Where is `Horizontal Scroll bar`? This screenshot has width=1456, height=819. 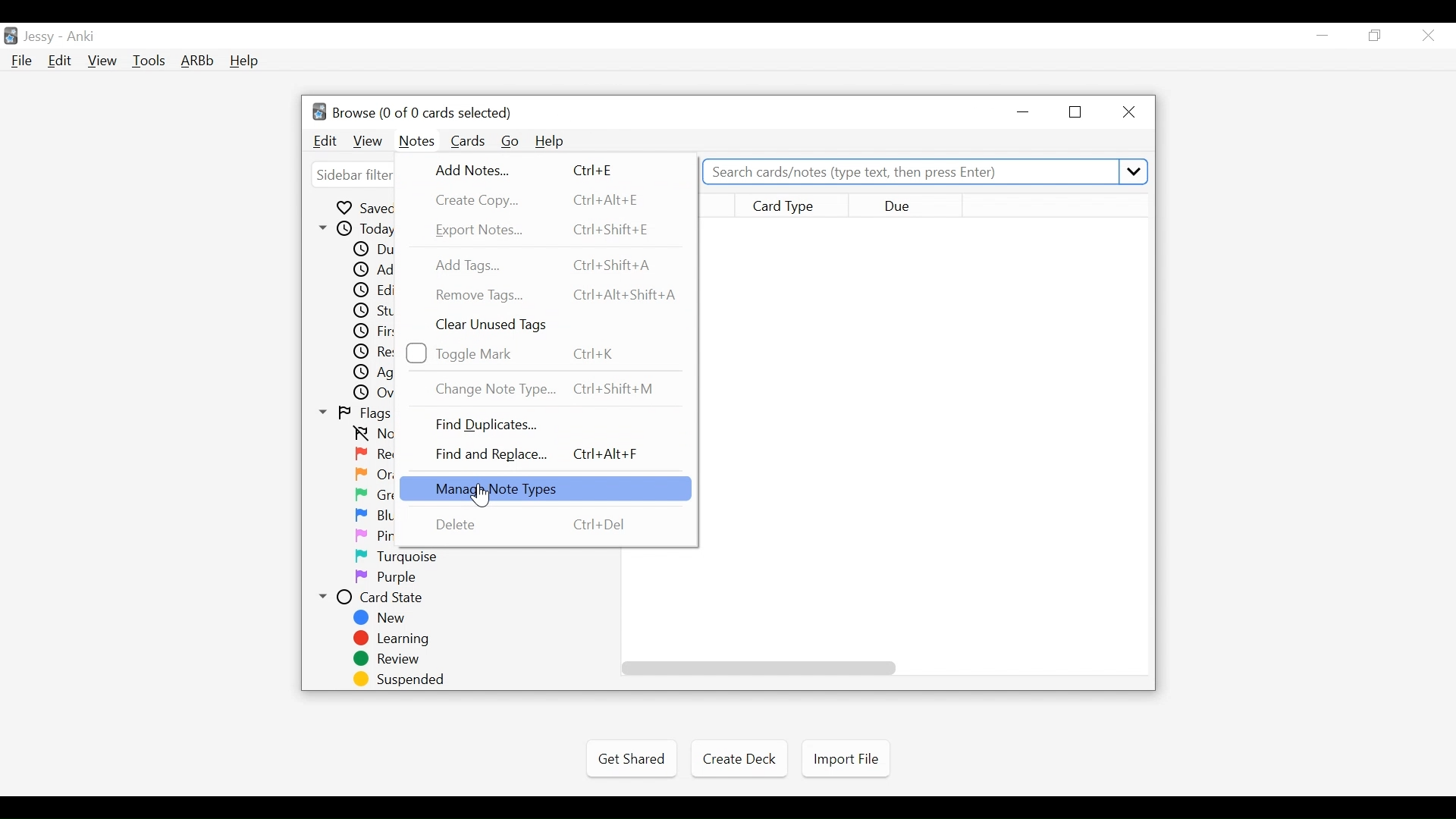
Horizontal Scroll bar is located at coordinates (759, 668).